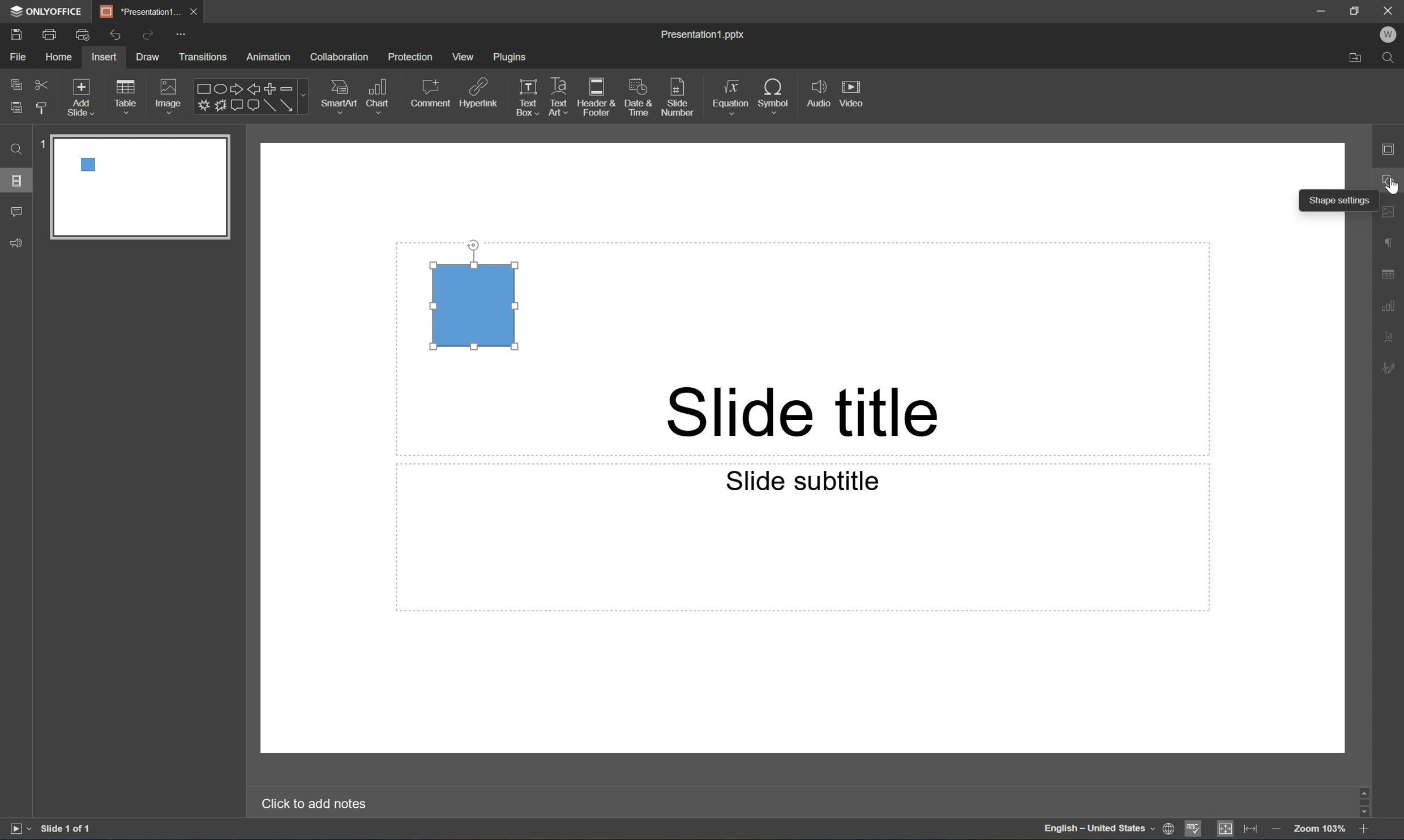 This screenshot has width=1404, height=840. Describe the element at coordinates (637, 96) in the screenshot. I see `Date & Time` at that location.